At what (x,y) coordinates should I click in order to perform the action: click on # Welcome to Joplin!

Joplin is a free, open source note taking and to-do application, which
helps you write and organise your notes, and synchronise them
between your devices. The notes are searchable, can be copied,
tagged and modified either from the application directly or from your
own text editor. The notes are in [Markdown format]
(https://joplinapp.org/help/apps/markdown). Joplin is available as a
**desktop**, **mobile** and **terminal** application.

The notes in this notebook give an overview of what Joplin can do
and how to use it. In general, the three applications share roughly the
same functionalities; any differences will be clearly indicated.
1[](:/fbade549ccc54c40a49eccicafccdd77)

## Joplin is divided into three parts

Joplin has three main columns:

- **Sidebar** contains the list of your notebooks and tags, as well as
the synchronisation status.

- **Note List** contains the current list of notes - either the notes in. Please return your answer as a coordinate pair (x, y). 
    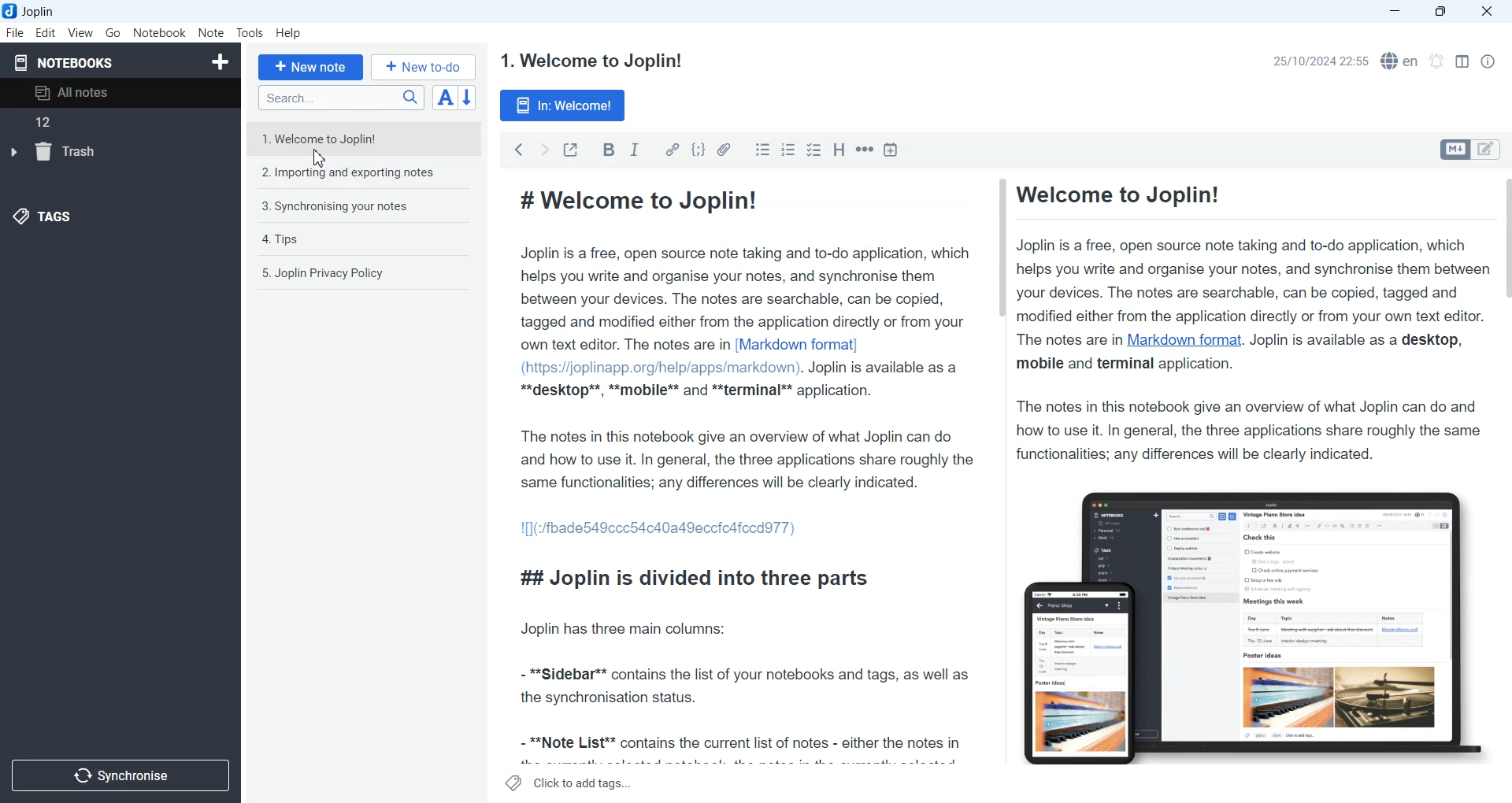
    Looking at the image, I should click on (746, 474).